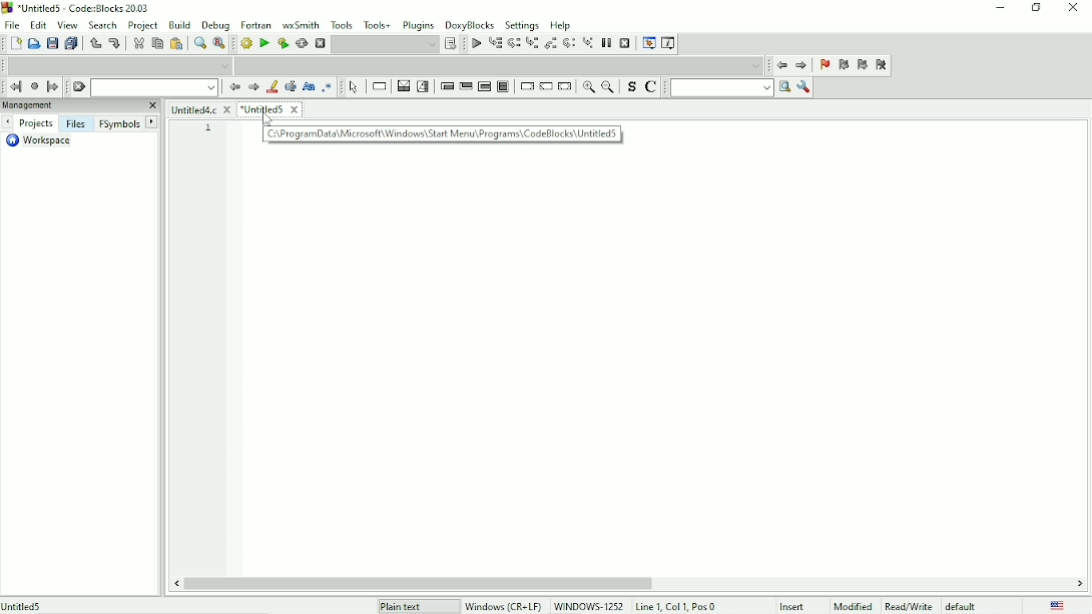 The width and height of the screenshot is (1092, 614). I want to click on FSymbols, so click(120, 124).